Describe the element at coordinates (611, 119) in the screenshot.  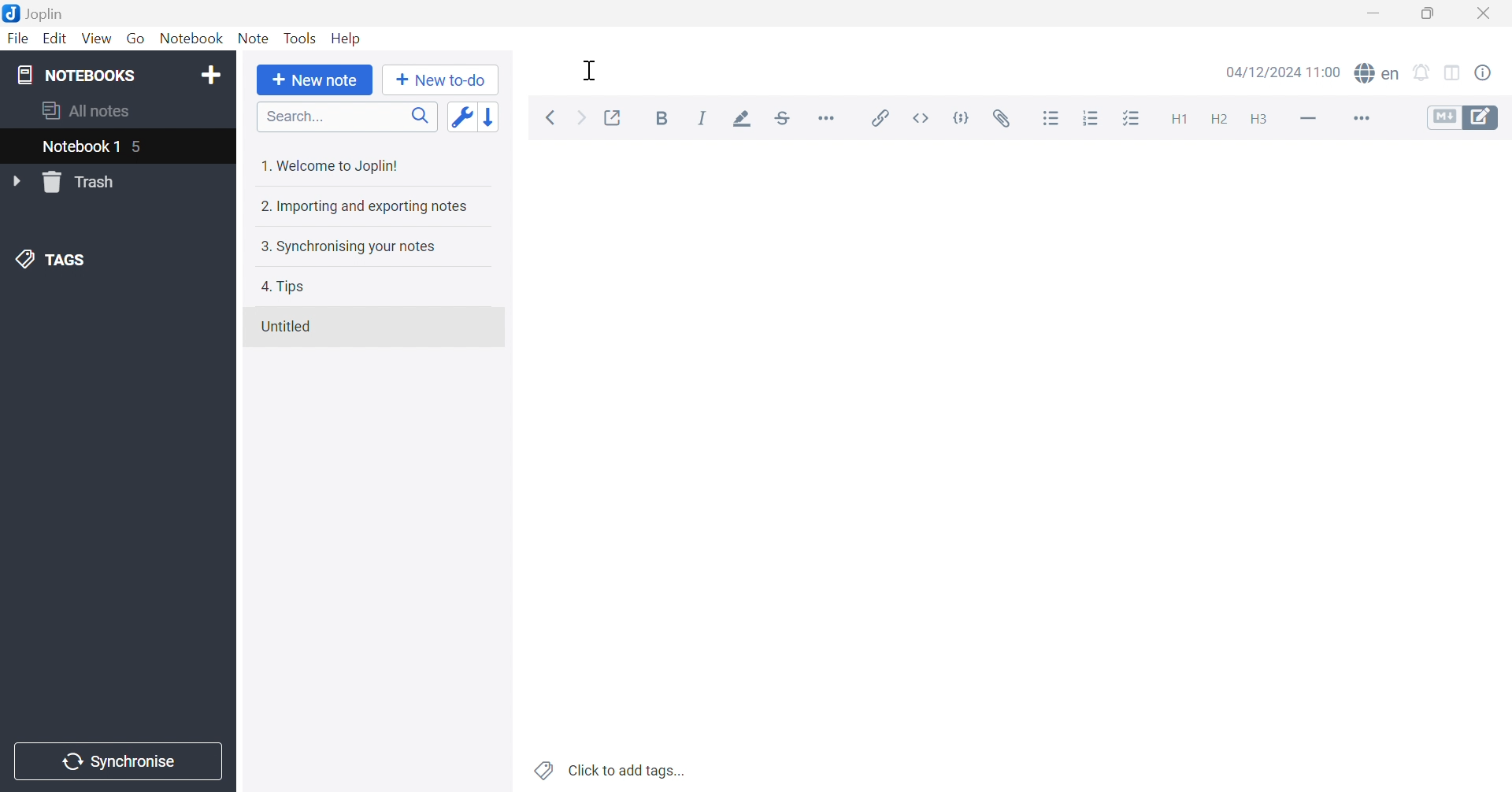
I see `Toggle external editing` at that location.